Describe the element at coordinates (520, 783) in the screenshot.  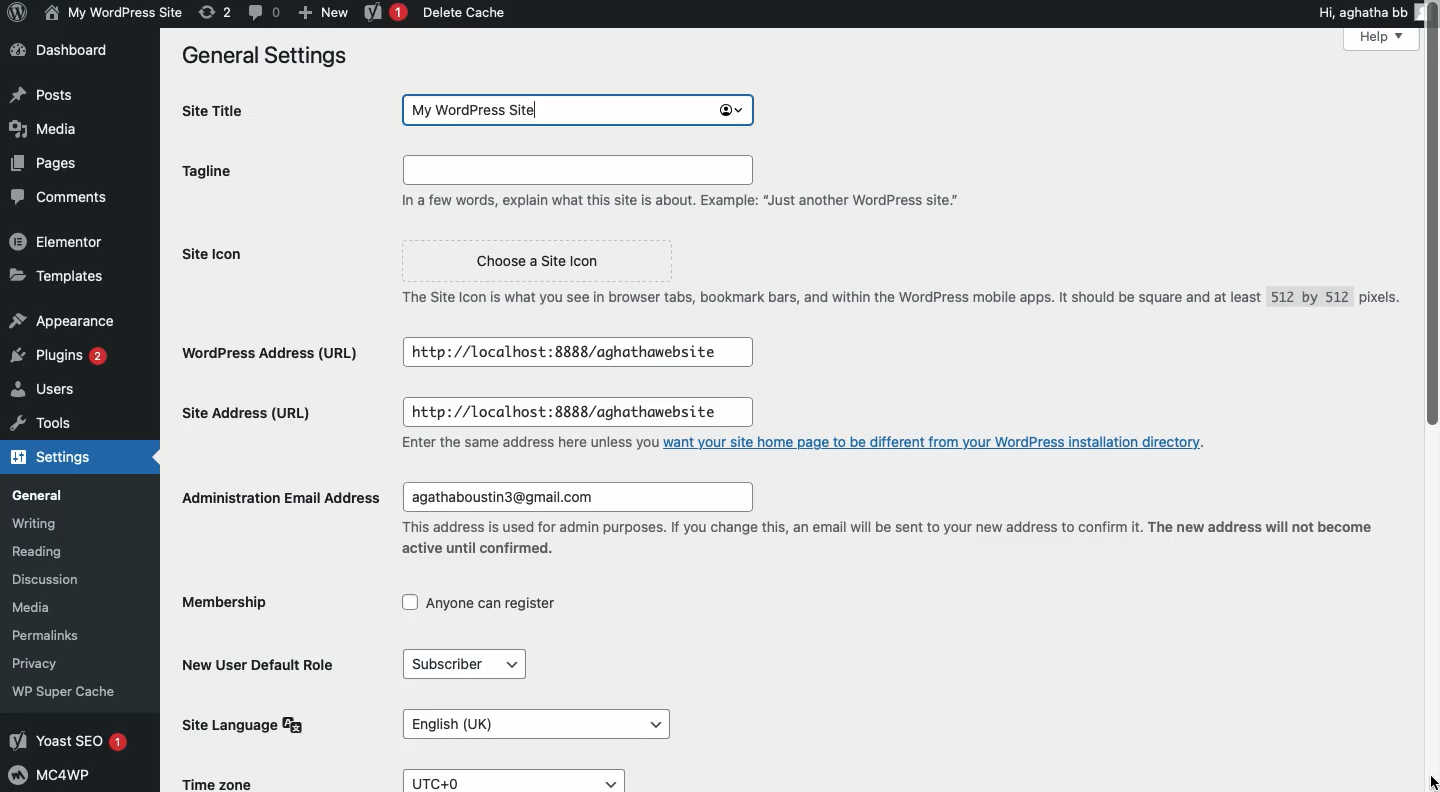
I see `UTC+0` at that location.